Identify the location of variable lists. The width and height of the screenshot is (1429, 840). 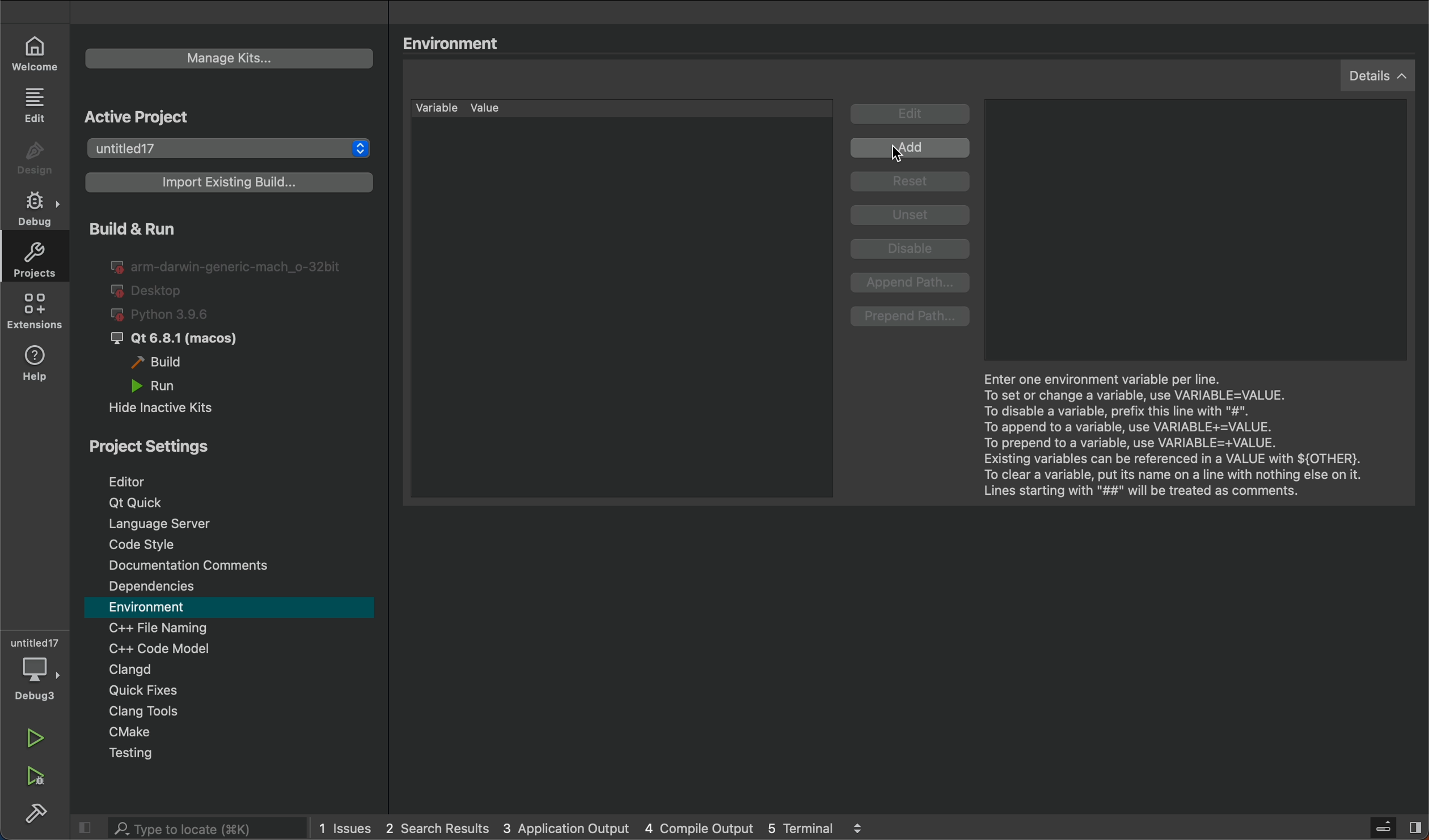
(625, 299).